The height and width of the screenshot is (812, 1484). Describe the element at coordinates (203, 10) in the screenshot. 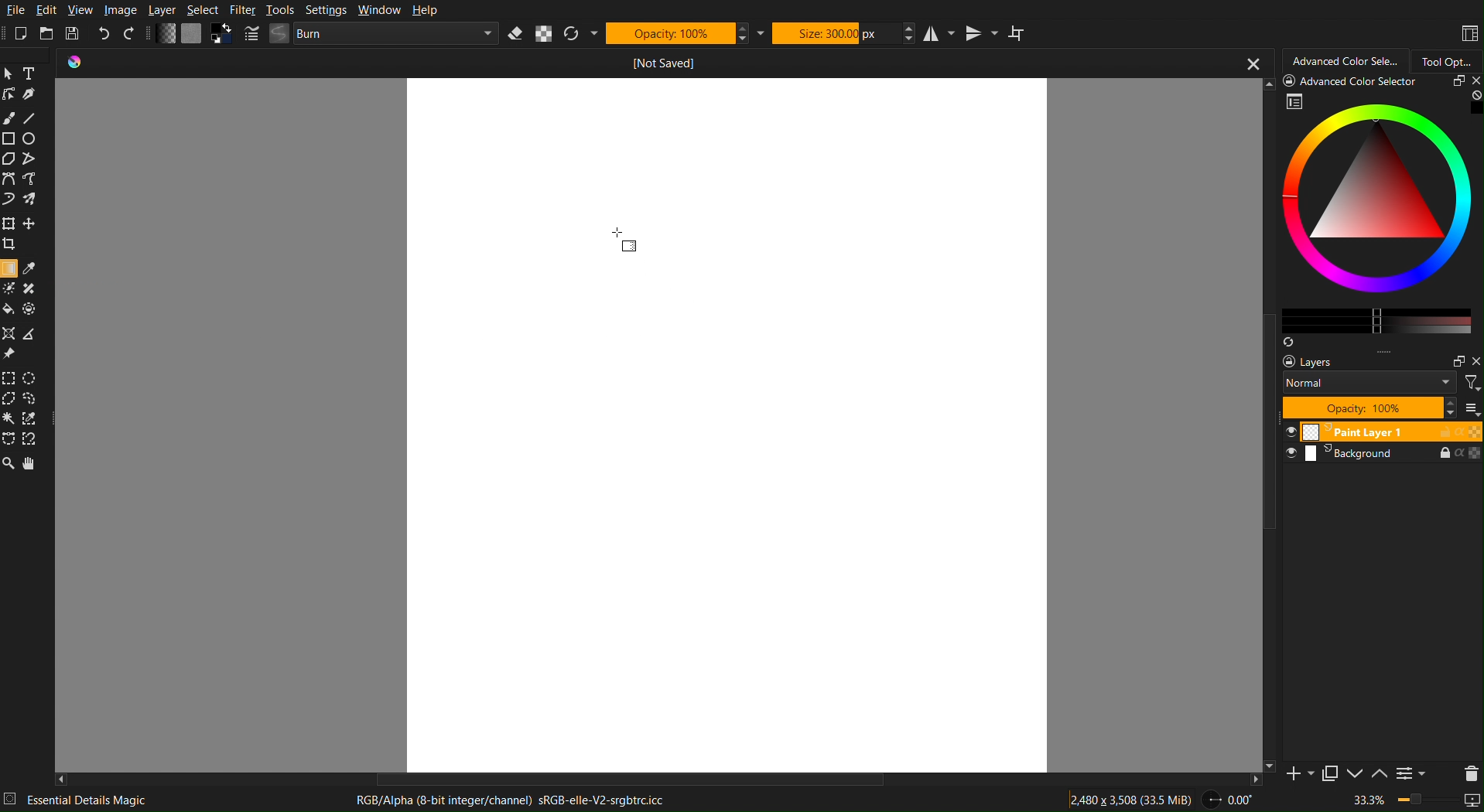

I see `Select` at that location.